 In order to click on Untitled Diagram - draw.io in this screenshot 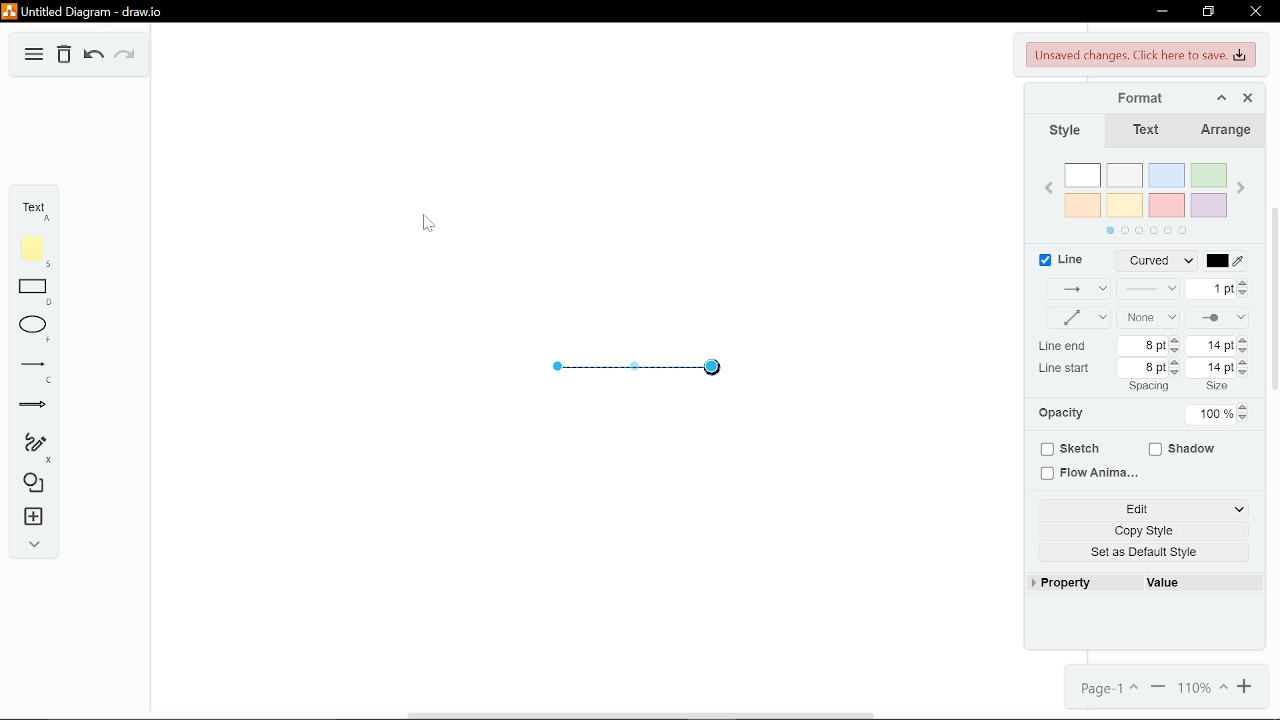, I will do `click(82, 11)`.